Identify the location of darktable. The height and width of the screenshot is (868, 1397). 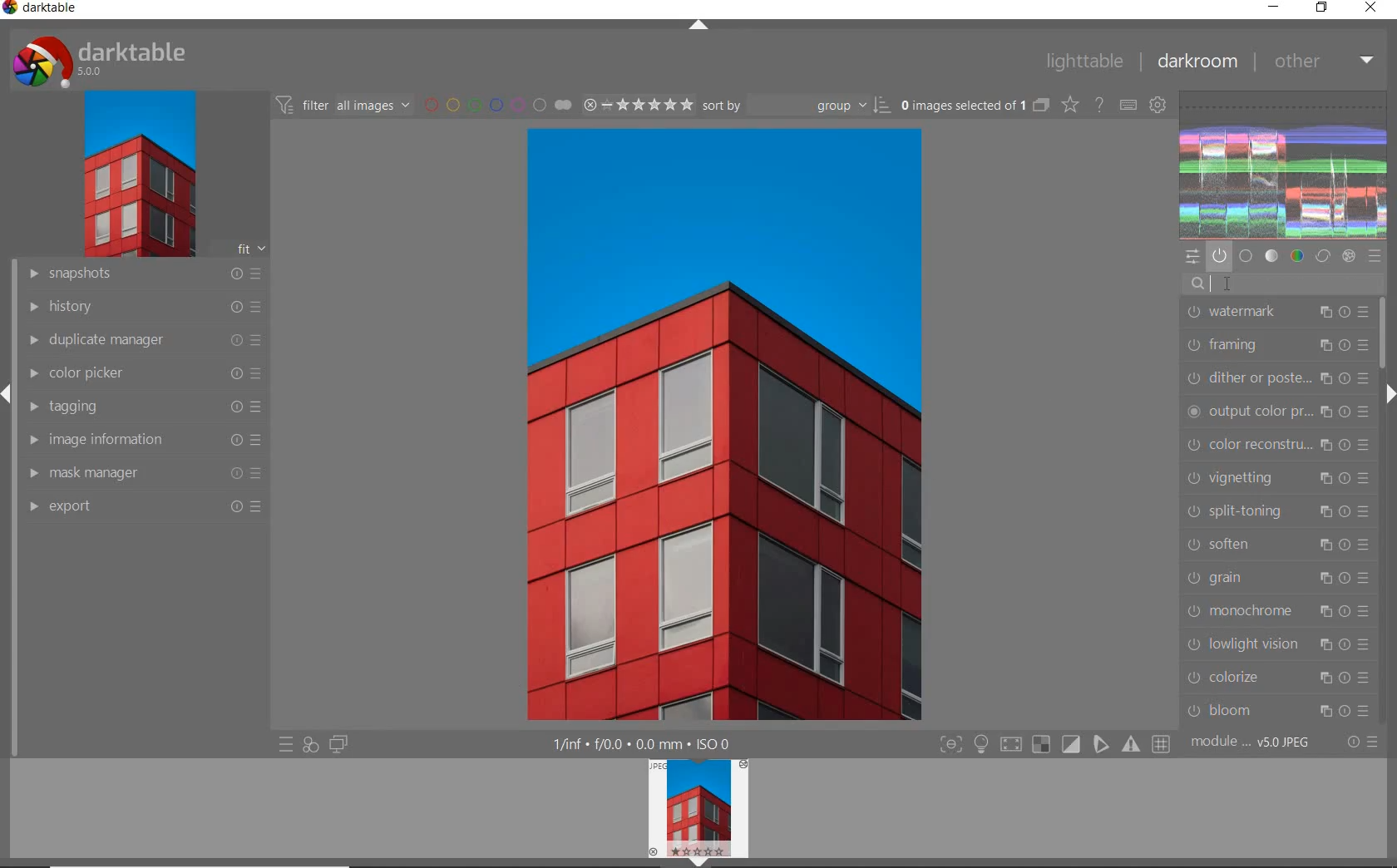
(116, 57).